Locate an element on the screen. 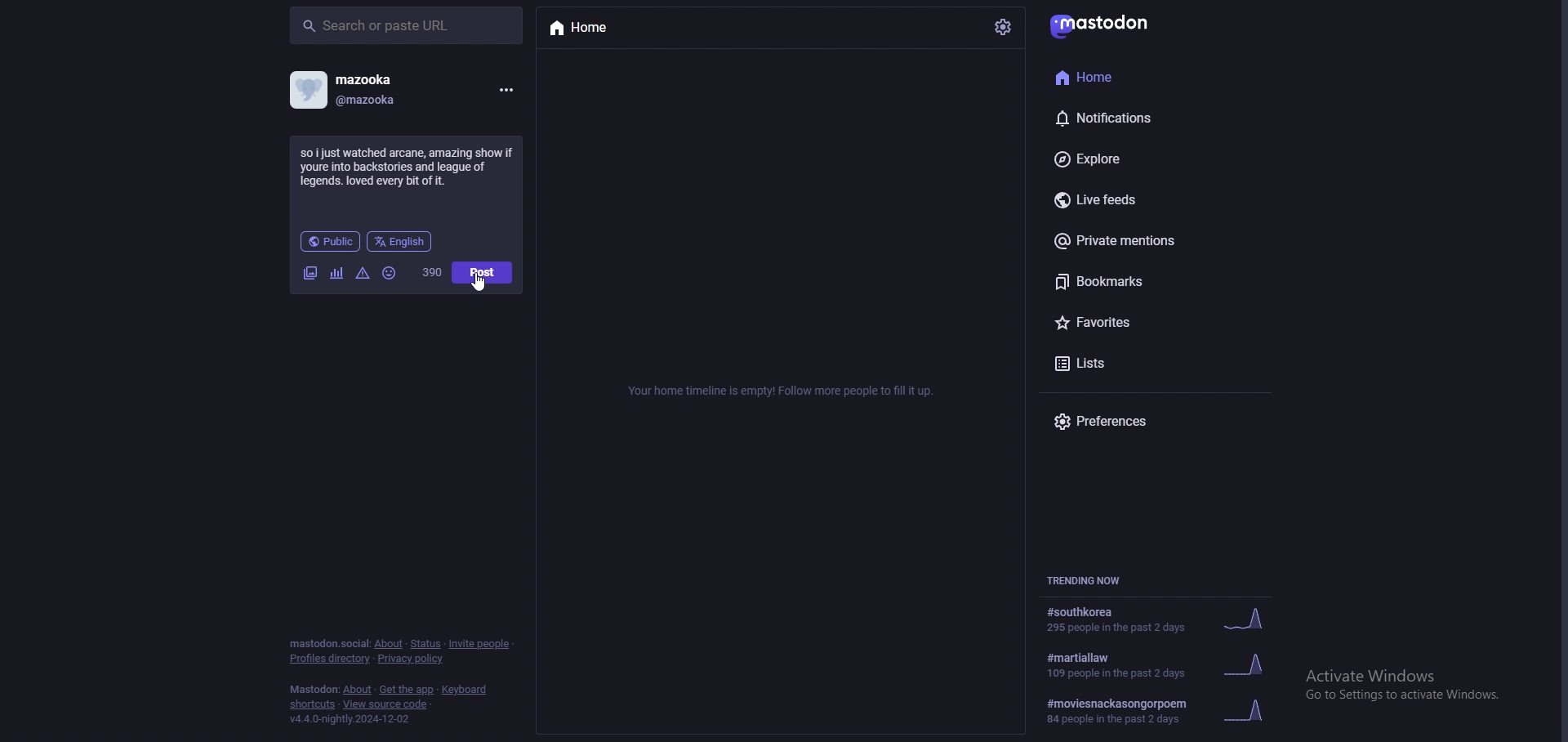  status is located at coordinates (425, 644).